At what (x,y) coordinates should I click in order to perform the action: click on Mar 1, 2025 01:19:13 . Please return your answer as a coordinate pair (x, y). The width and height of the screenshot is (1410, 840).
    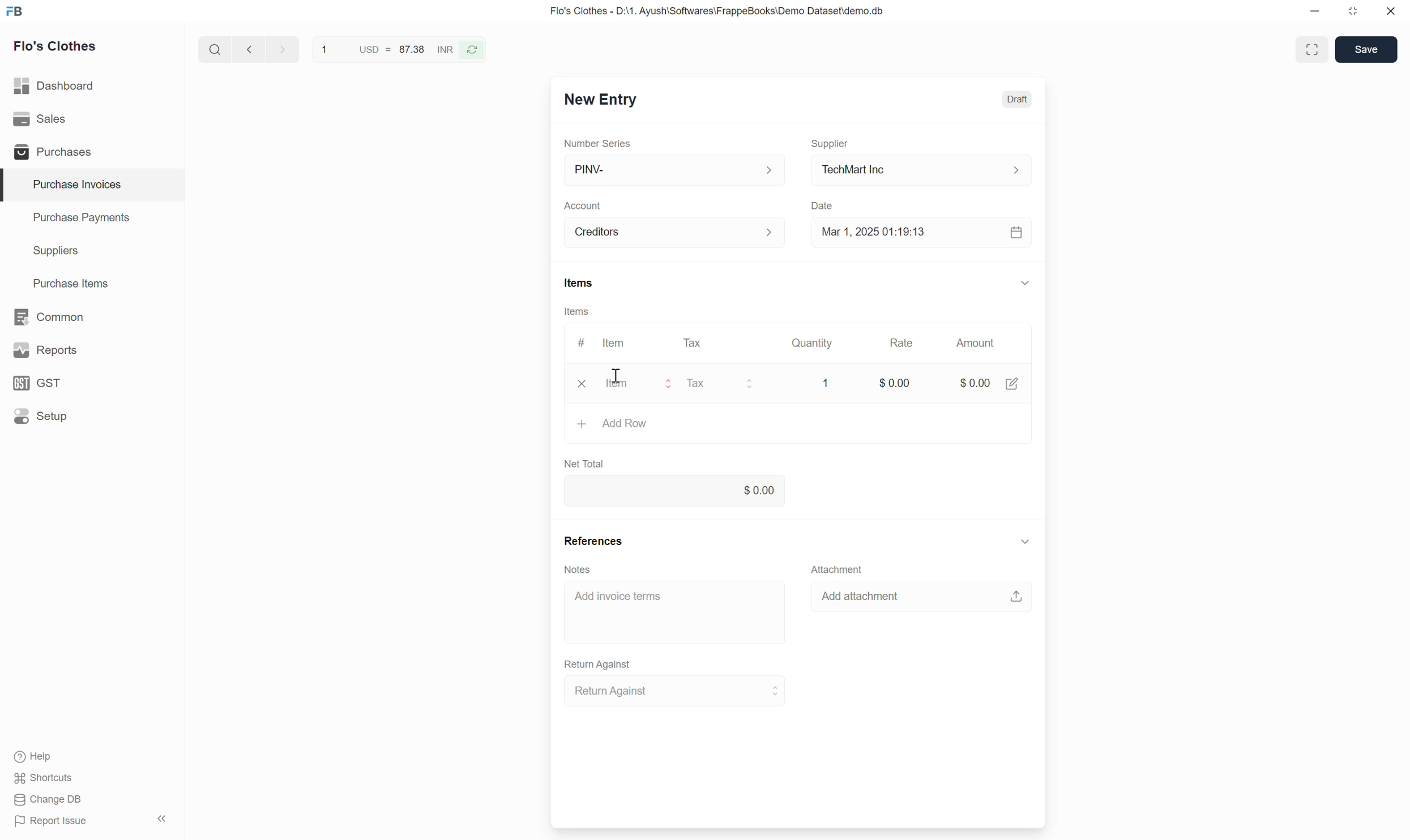
    Looking at the image, I should click on (918, 233).